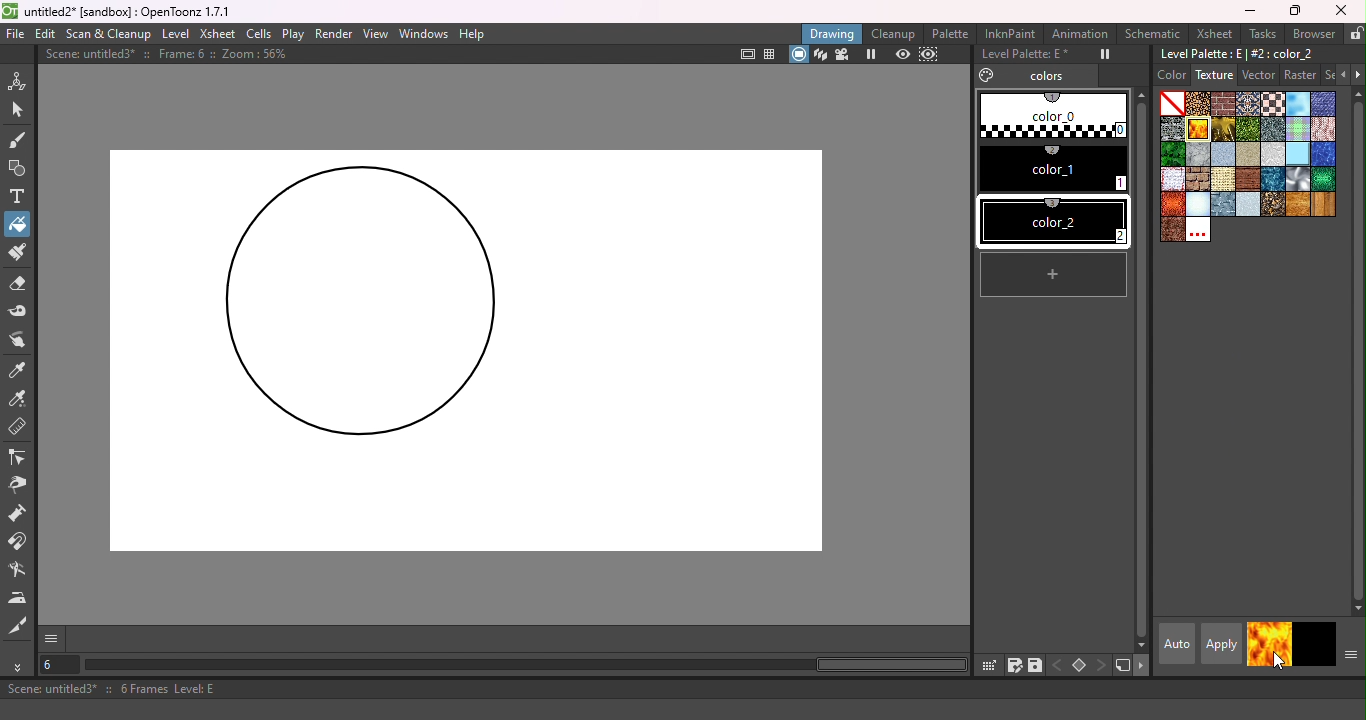 The width and height of the screenshot is (1366, 720). I want to click on Arabesque.bmp, so click(1198, 103).